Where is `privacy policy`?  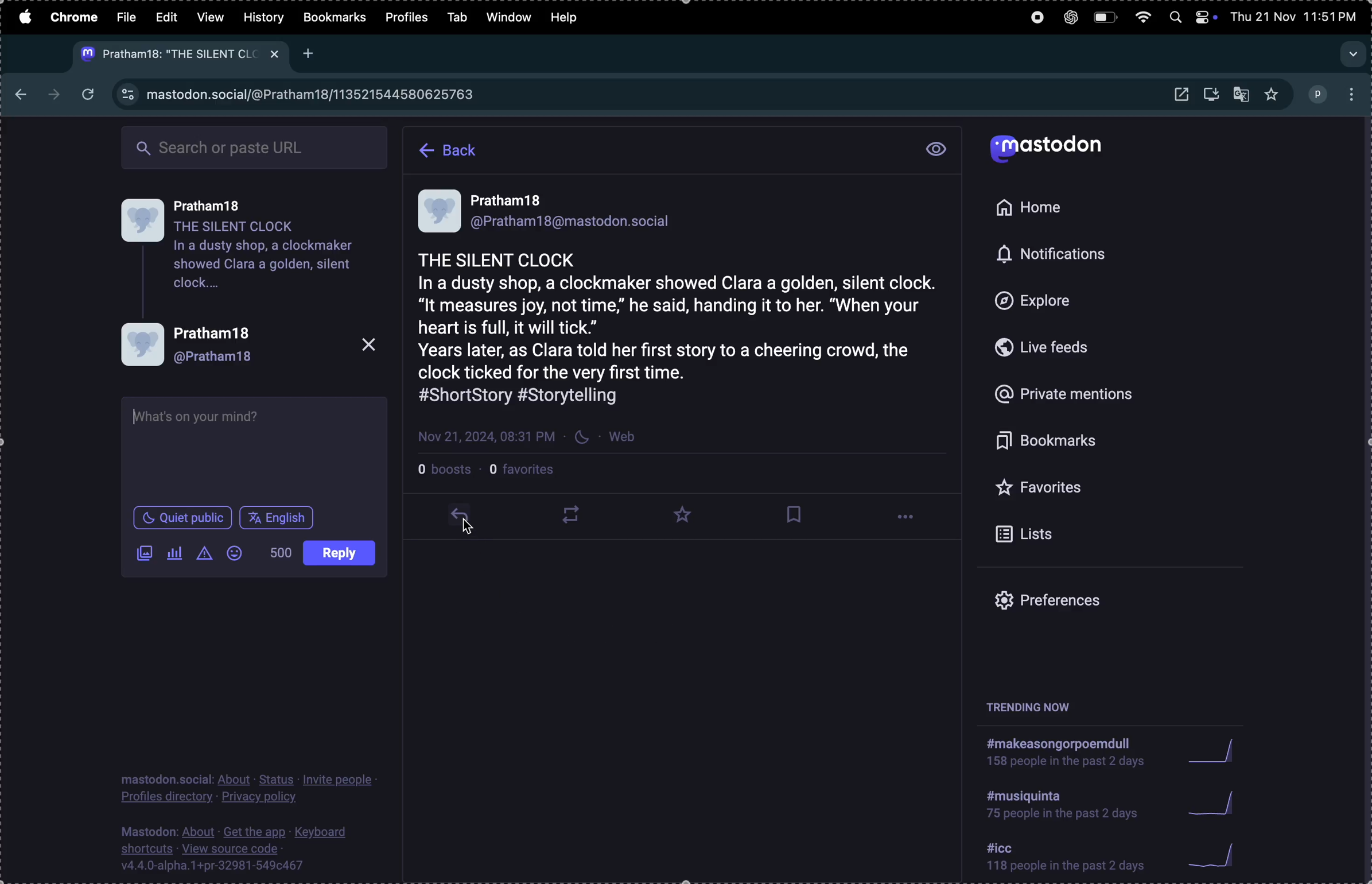
privacy policy is located at coordinates (254, 787).